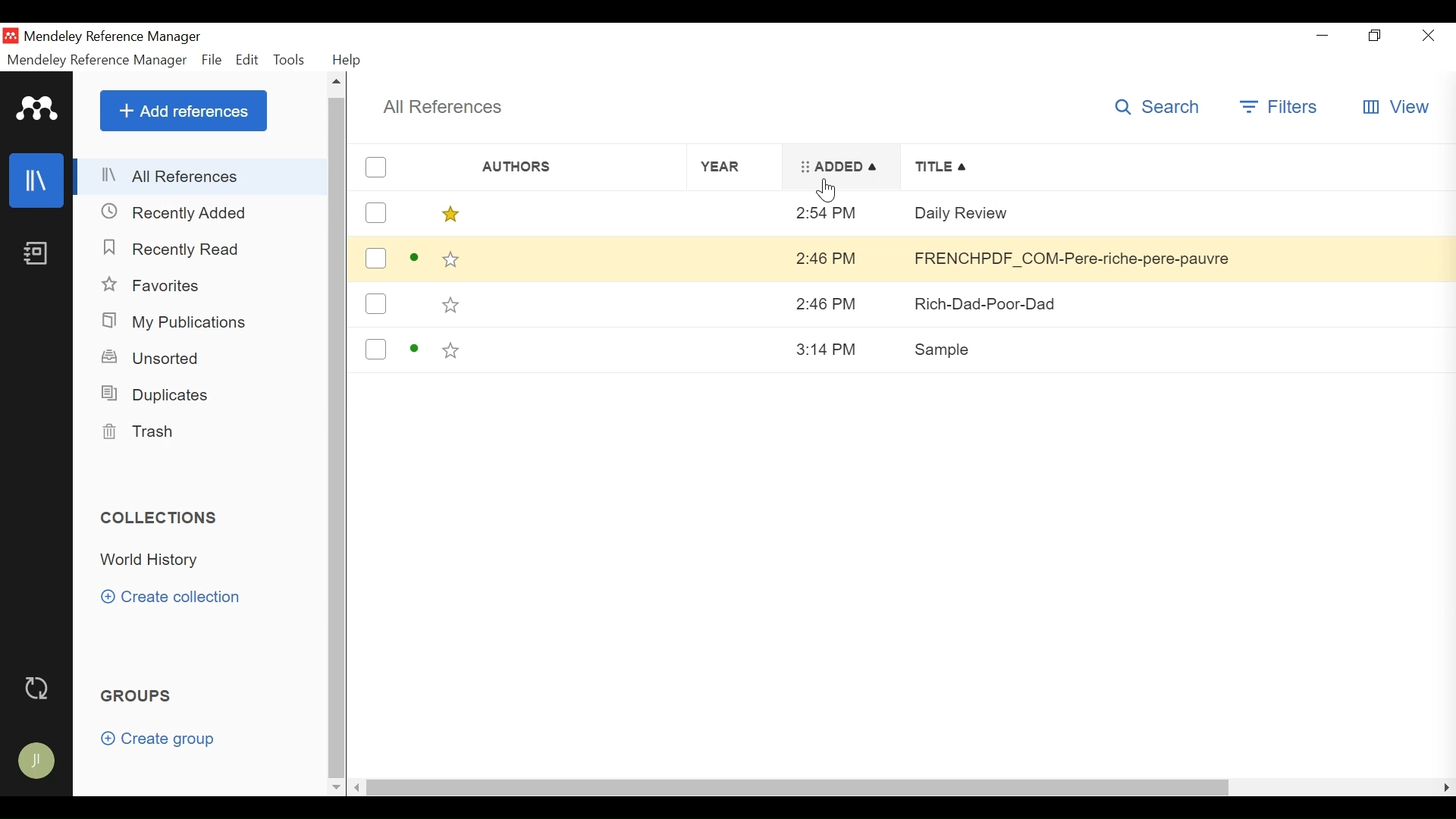  I want to click on Groups, so click(138, 698).